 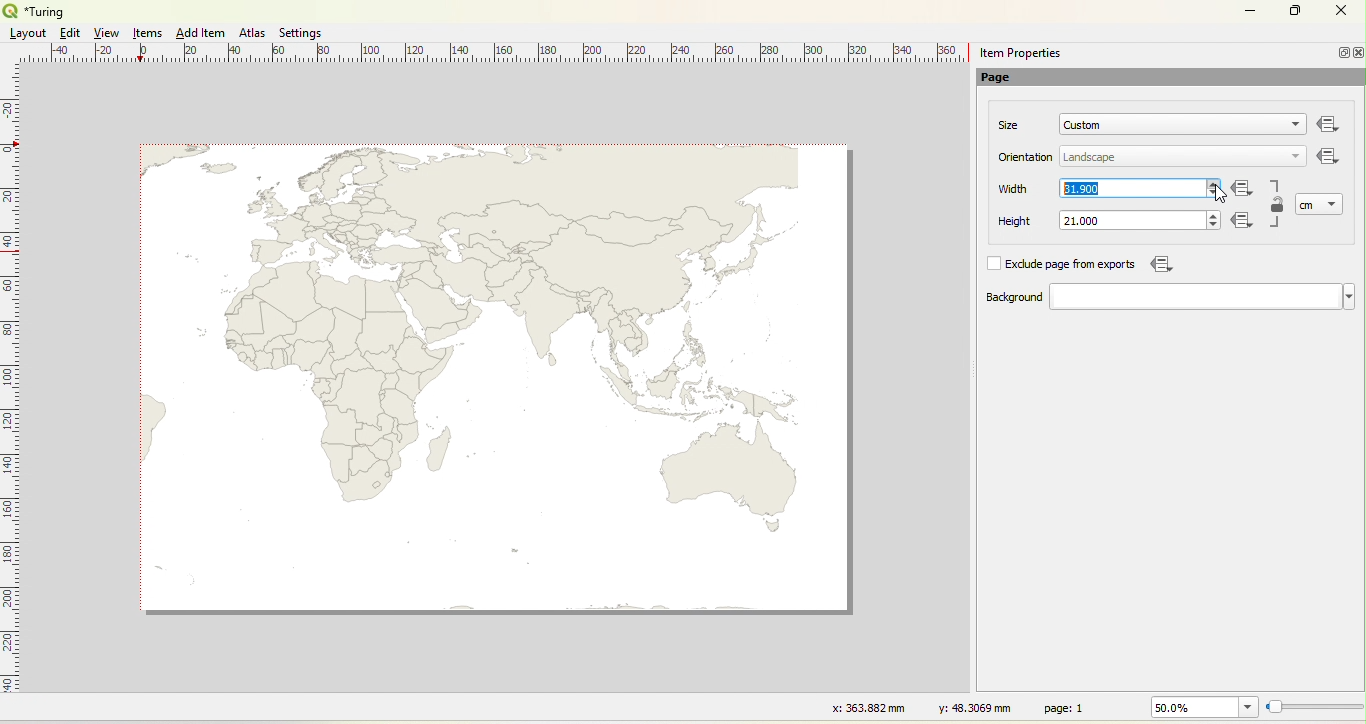 What do you see at coordinates (1081, 221) in the screenshot?
I see `21.000` at bounding box center [1081, 221].